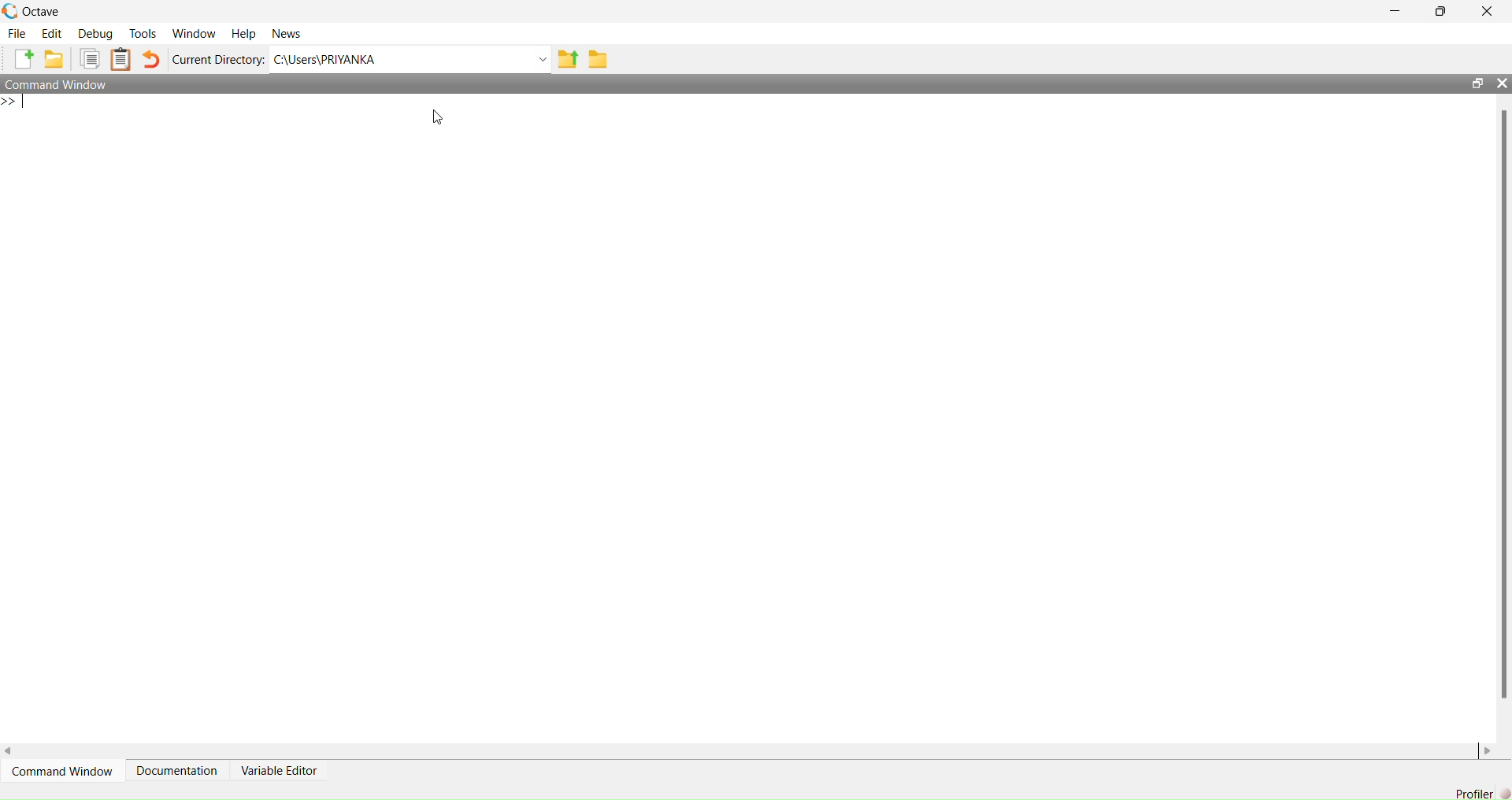 The image size is (1512, 800). What do you see at coordinates (11, 12) in the screenshot?
I see `logo` at bounding box center [11, 12].